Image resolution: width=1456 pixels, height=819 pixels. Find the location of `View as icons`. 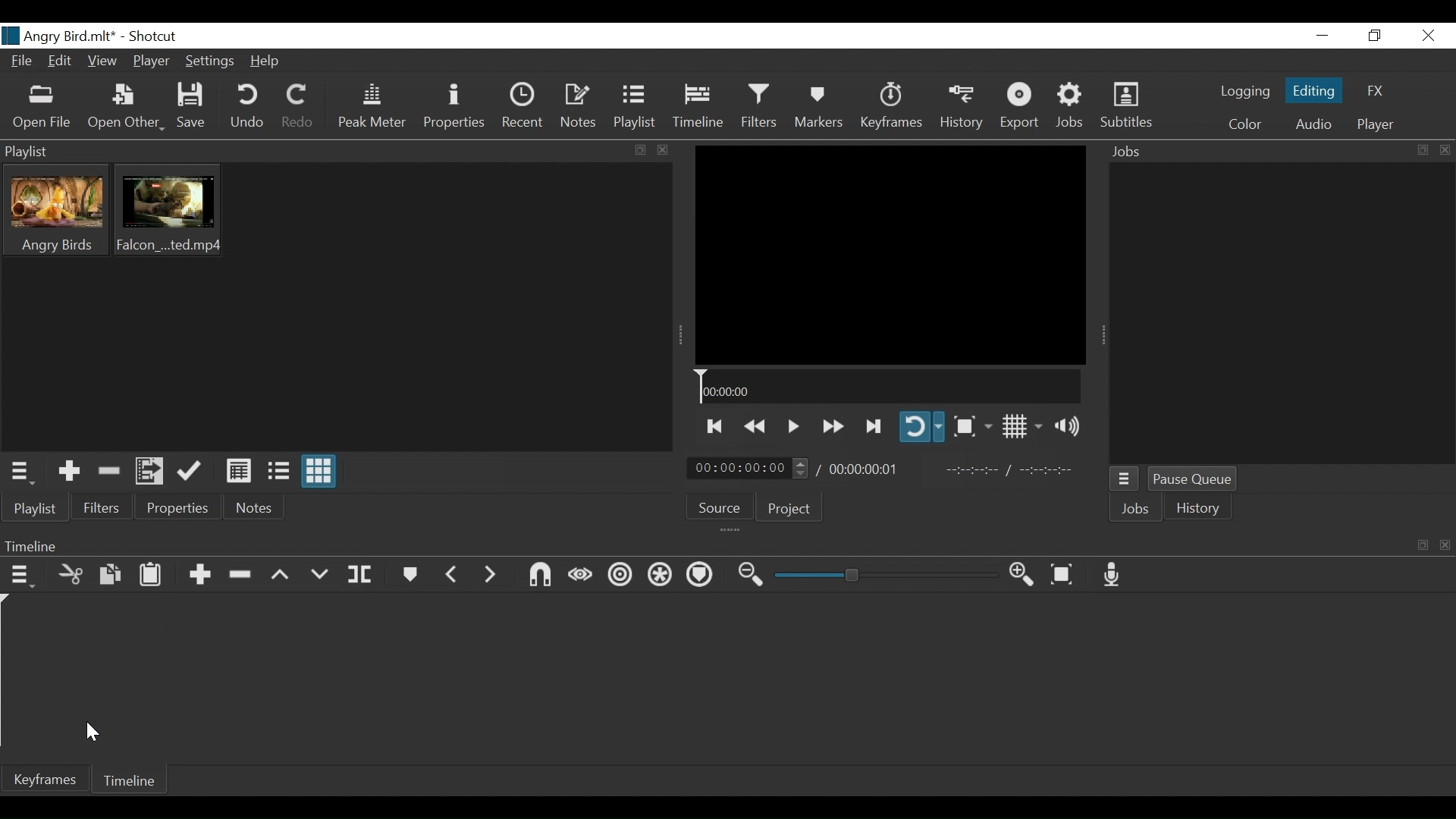

View as icons is located at coordinates (319, 472).